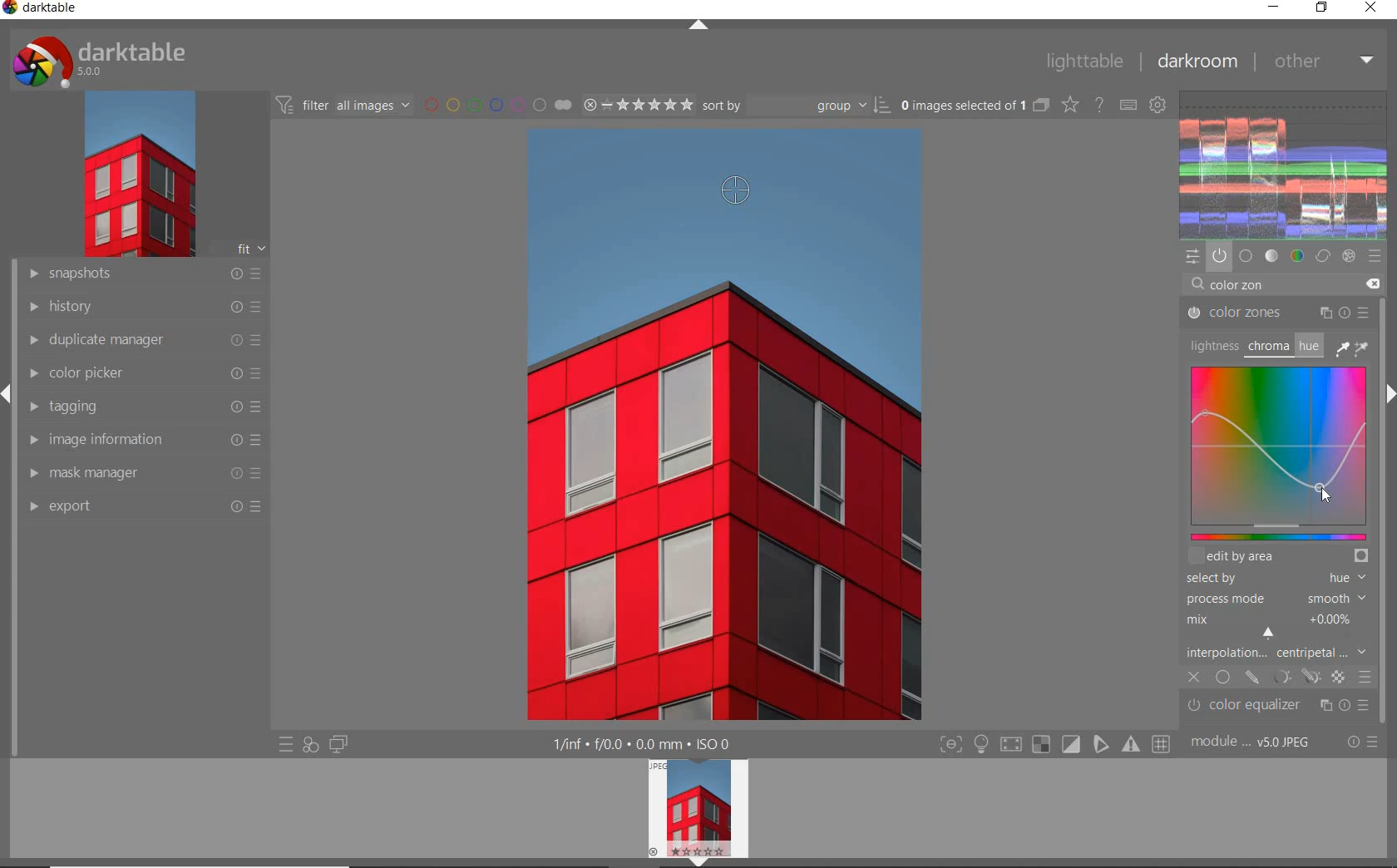 This screenshot has height=868, width=1397. What do you see at coordinates (1100, 745) in the screenshot?
I see `guides overlay` at bounding box center [1100, 745].